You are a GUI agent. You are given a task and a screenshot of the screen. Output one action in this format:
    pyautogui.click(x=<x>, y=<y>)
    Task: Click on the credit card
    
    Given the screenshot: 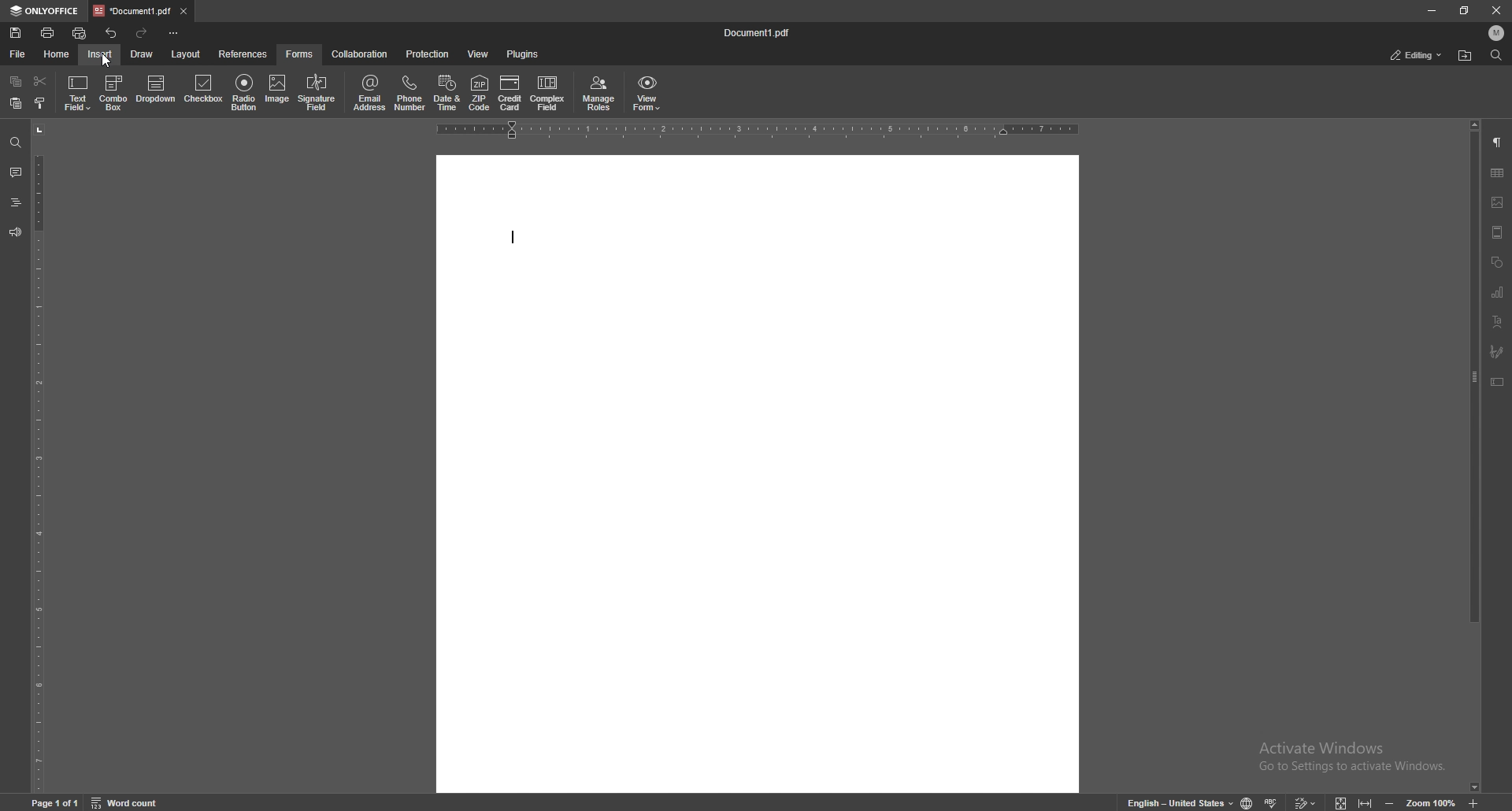 What is the action you would take?
    pyautogui.click(x=510, y=93)
    